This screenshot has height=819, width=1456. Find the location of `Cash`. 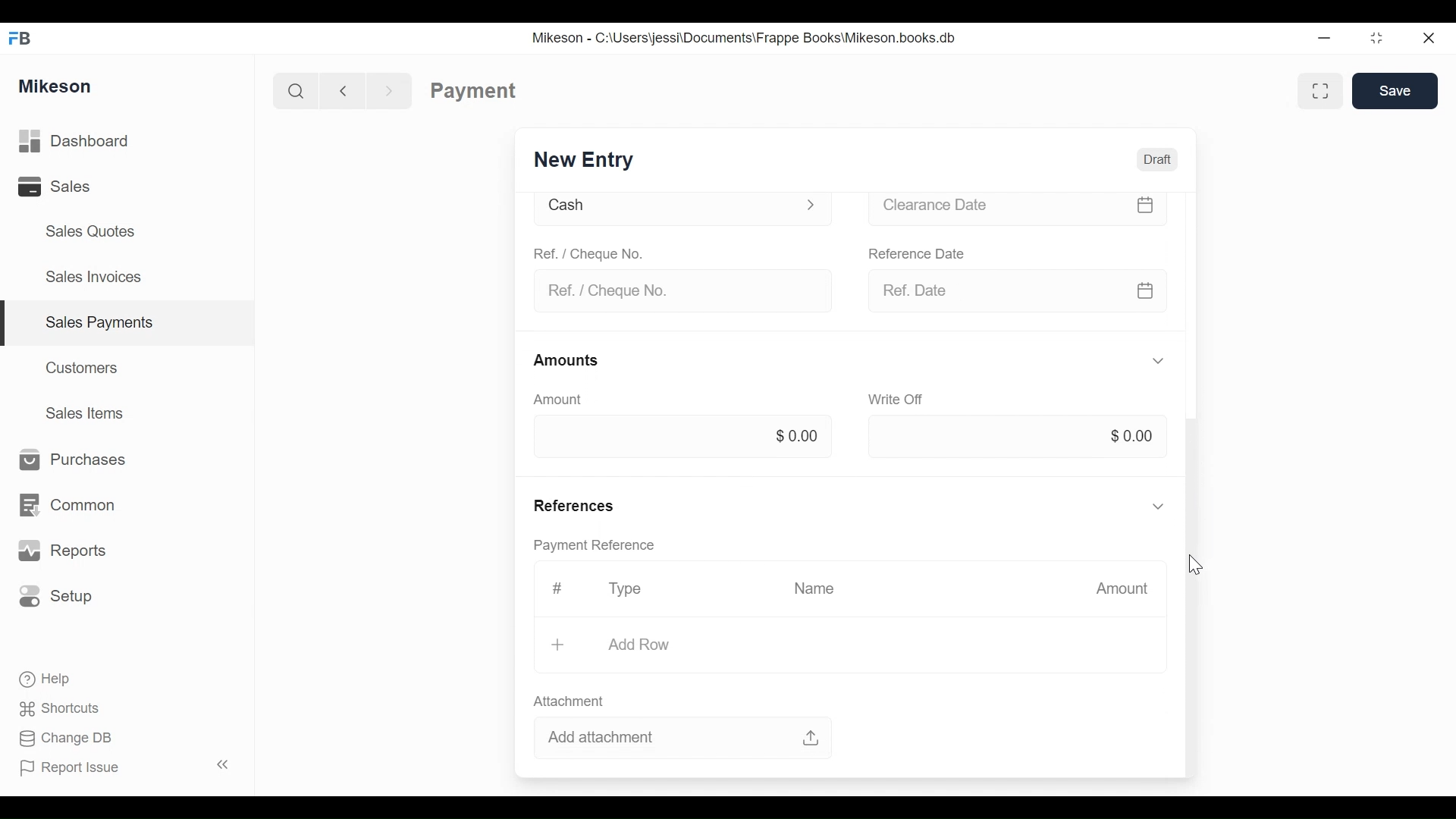

Cash is located at coordinates (676, 209).